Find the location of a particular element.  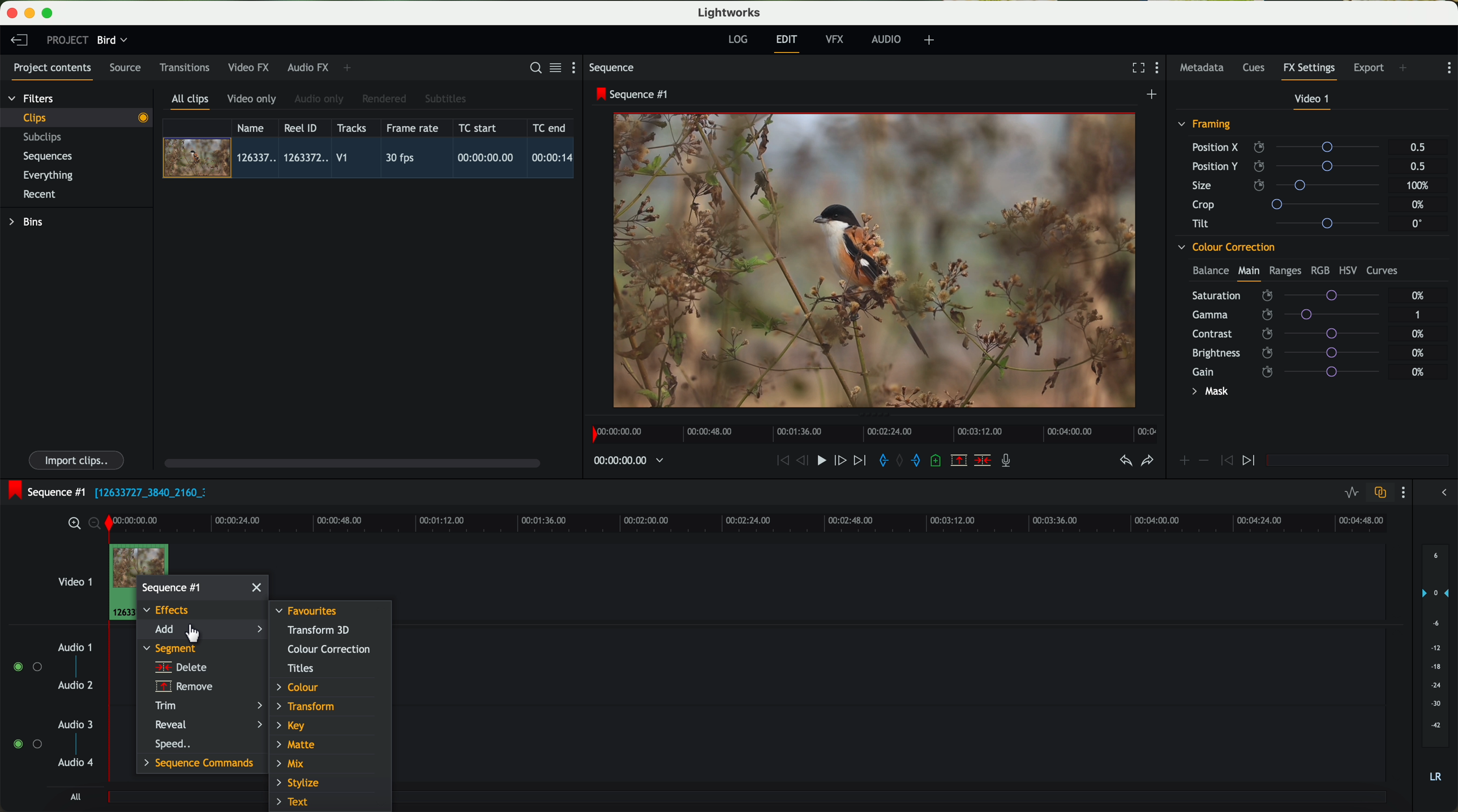

add panel is located at coordinates (350, 68).